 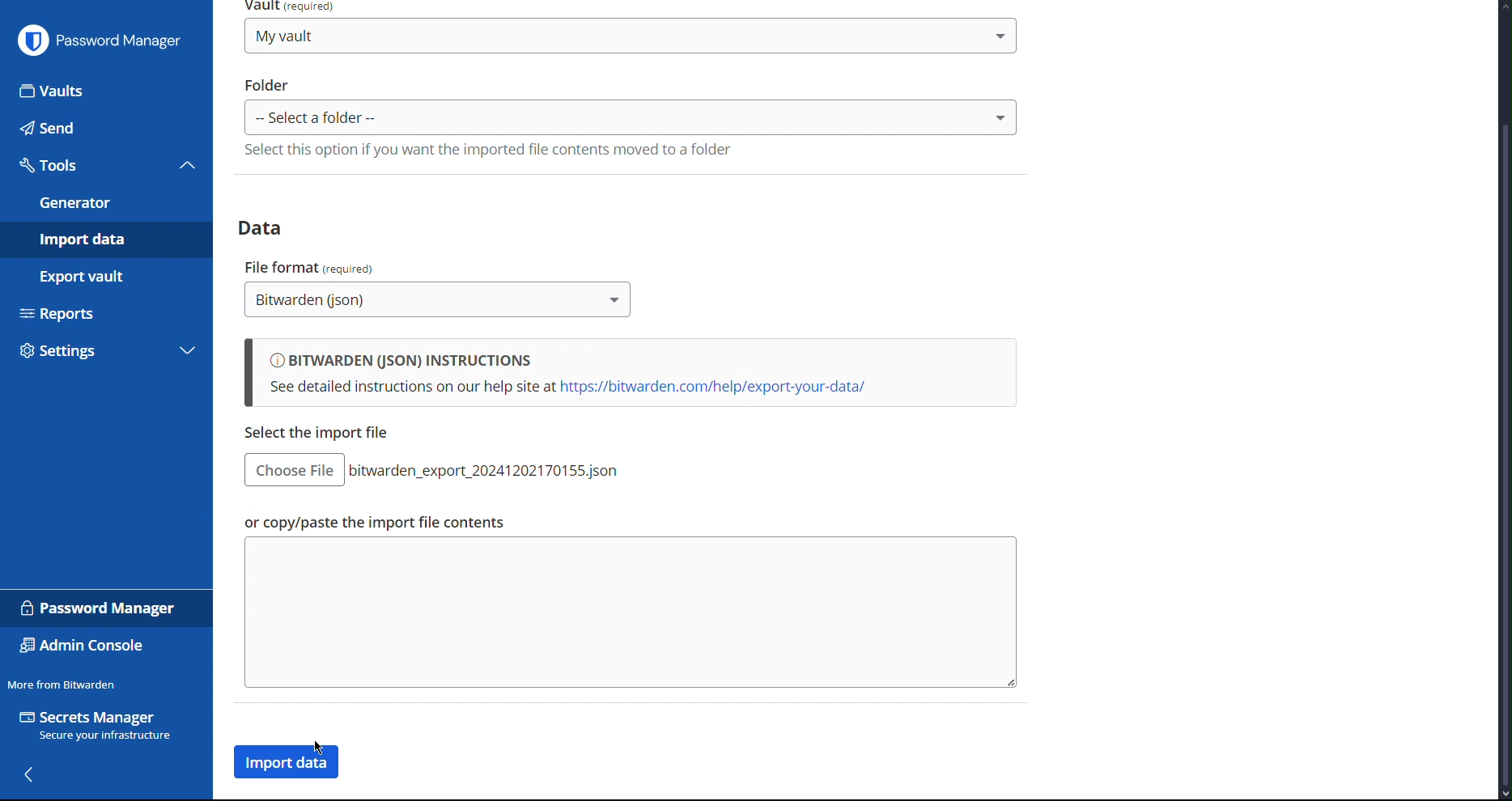 What do you see at coordinates (105, 239) in the screenshot?
I see `Import data` at bounding box center [105, 239].